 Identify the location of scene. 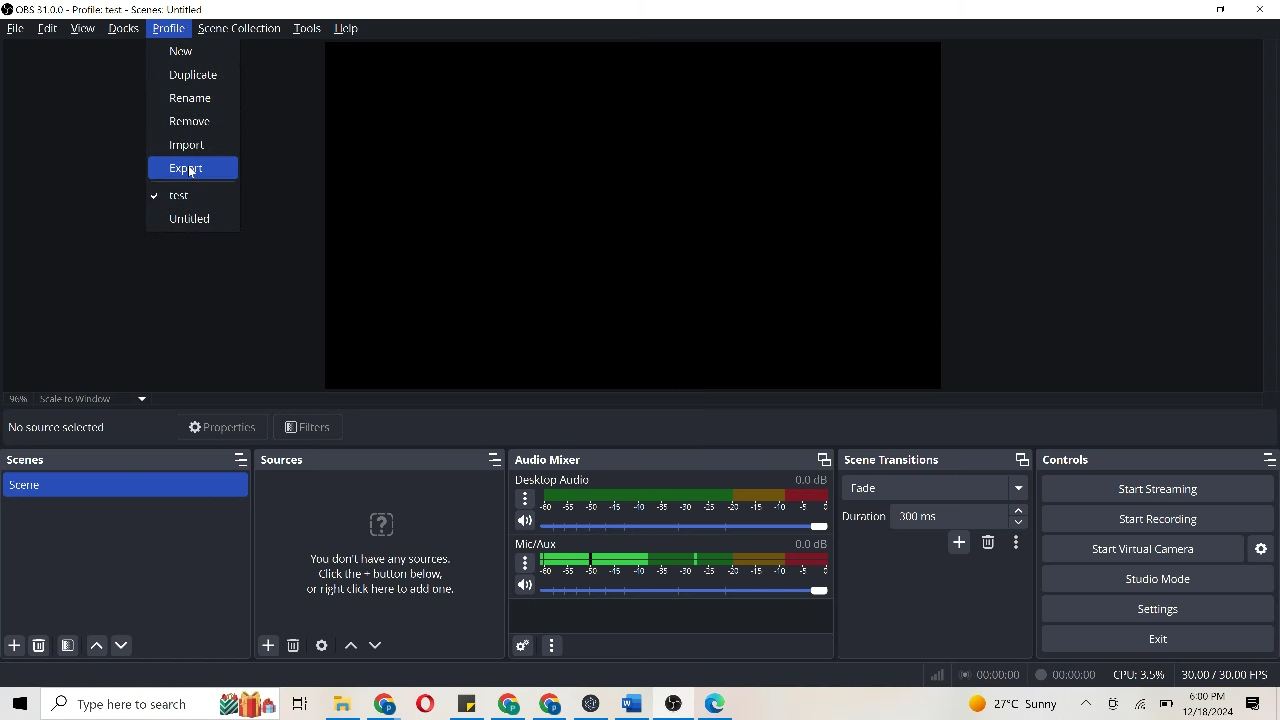
(128, 487).